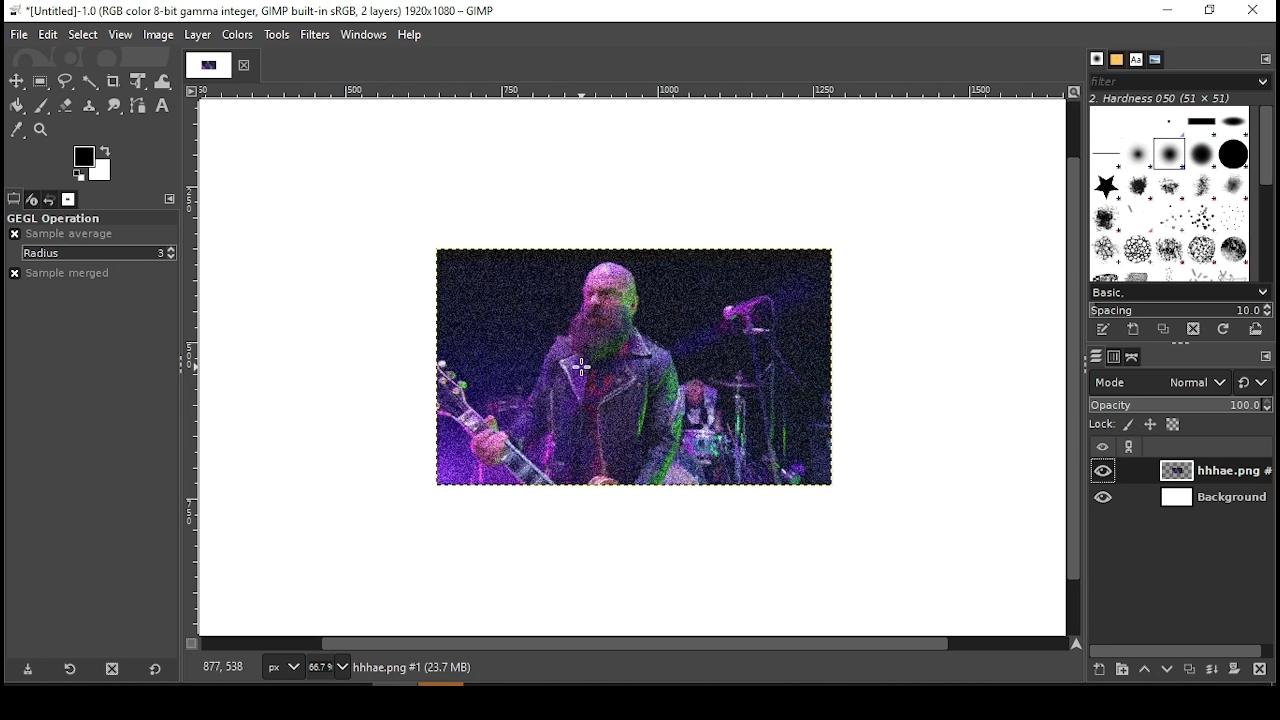 The height and width of the screenshot is (720, 1280). What do you see at coordinates (1207, 12) in the screenshot?
I see `restore` at bounding box center [1207, 12].